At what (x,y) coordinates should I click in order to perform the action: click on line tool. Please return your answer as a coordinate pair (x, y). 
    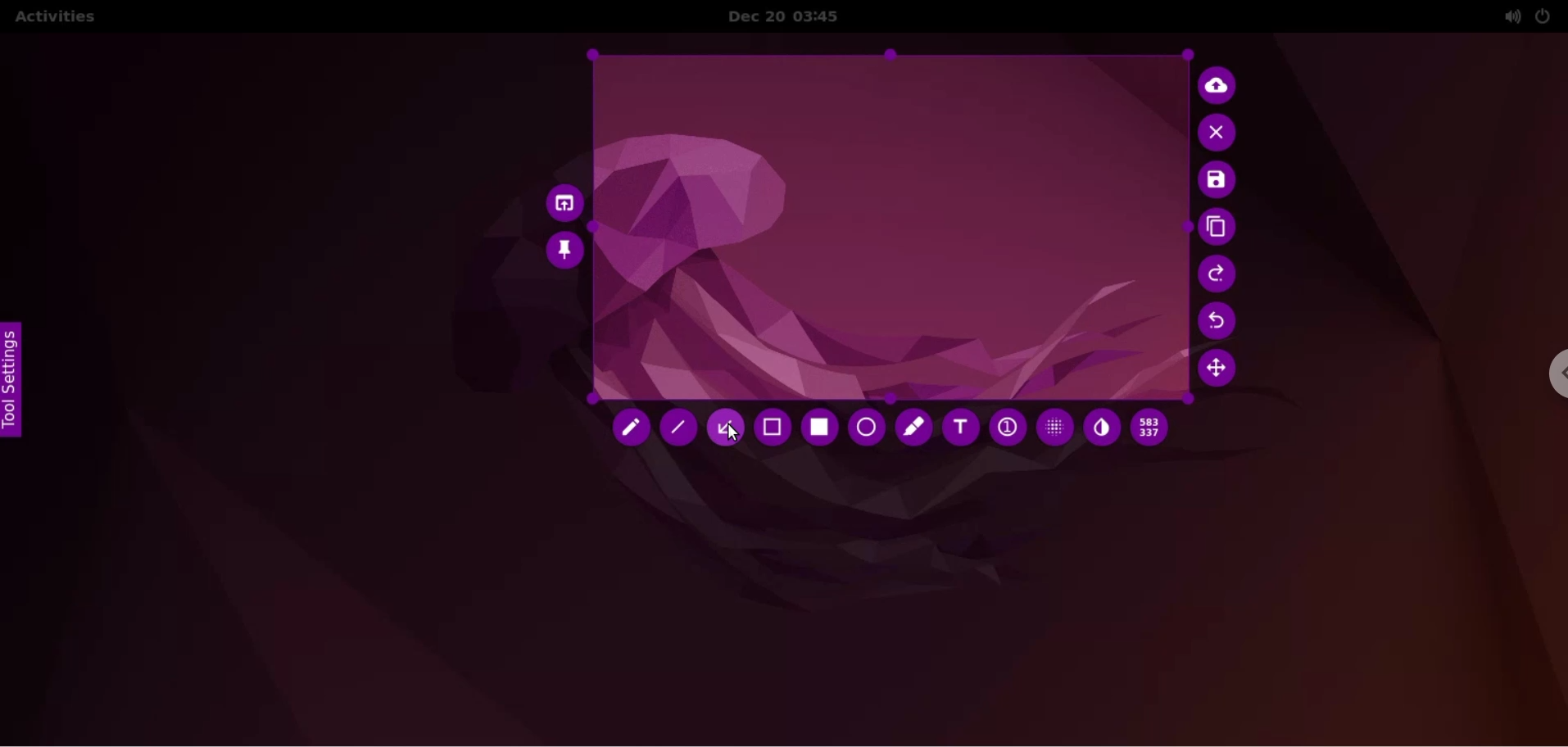
    Looking at the image, I should click on (681, 432).